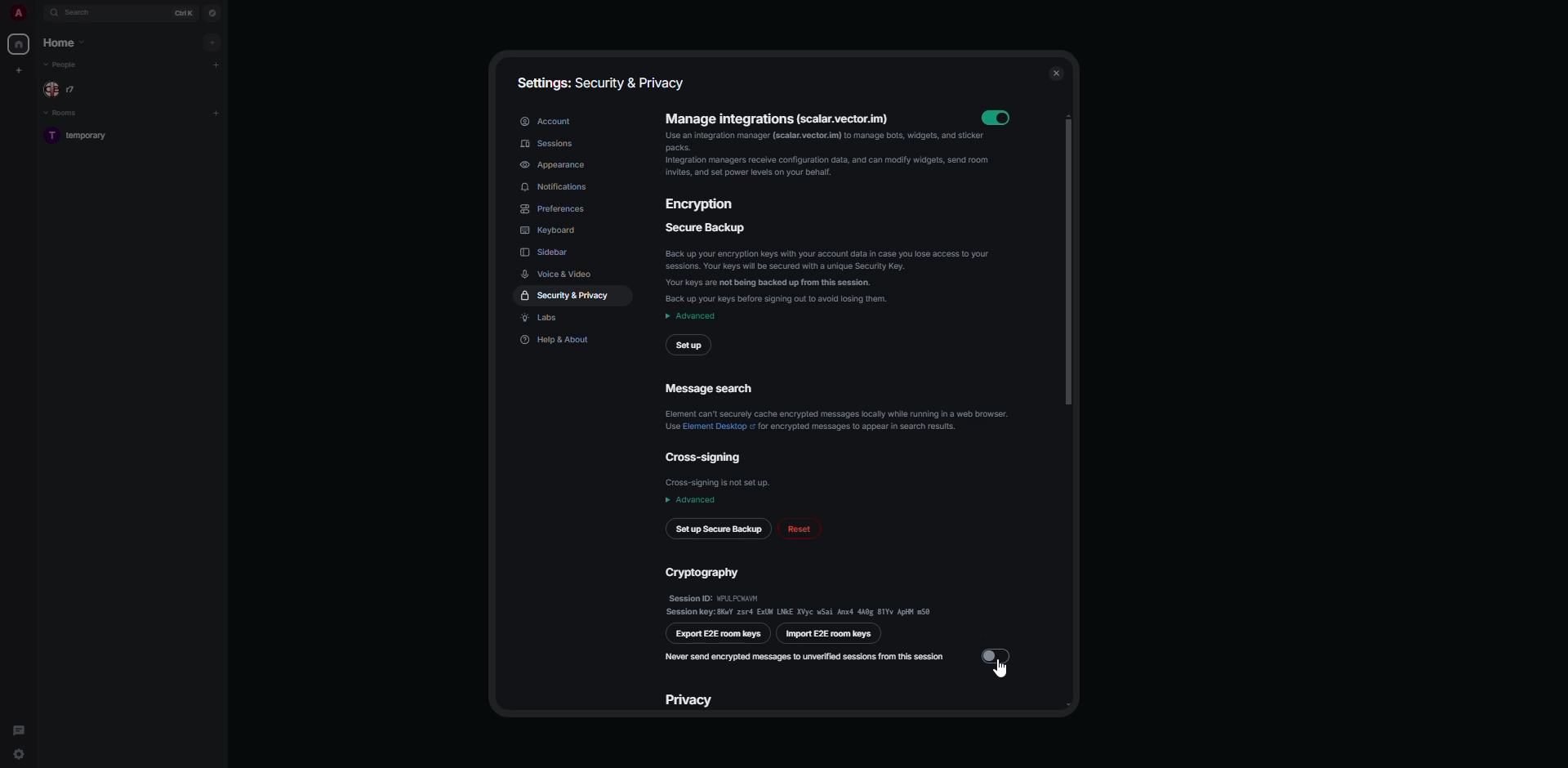  I want to click on settings: security & privacy, so click(599, 83).